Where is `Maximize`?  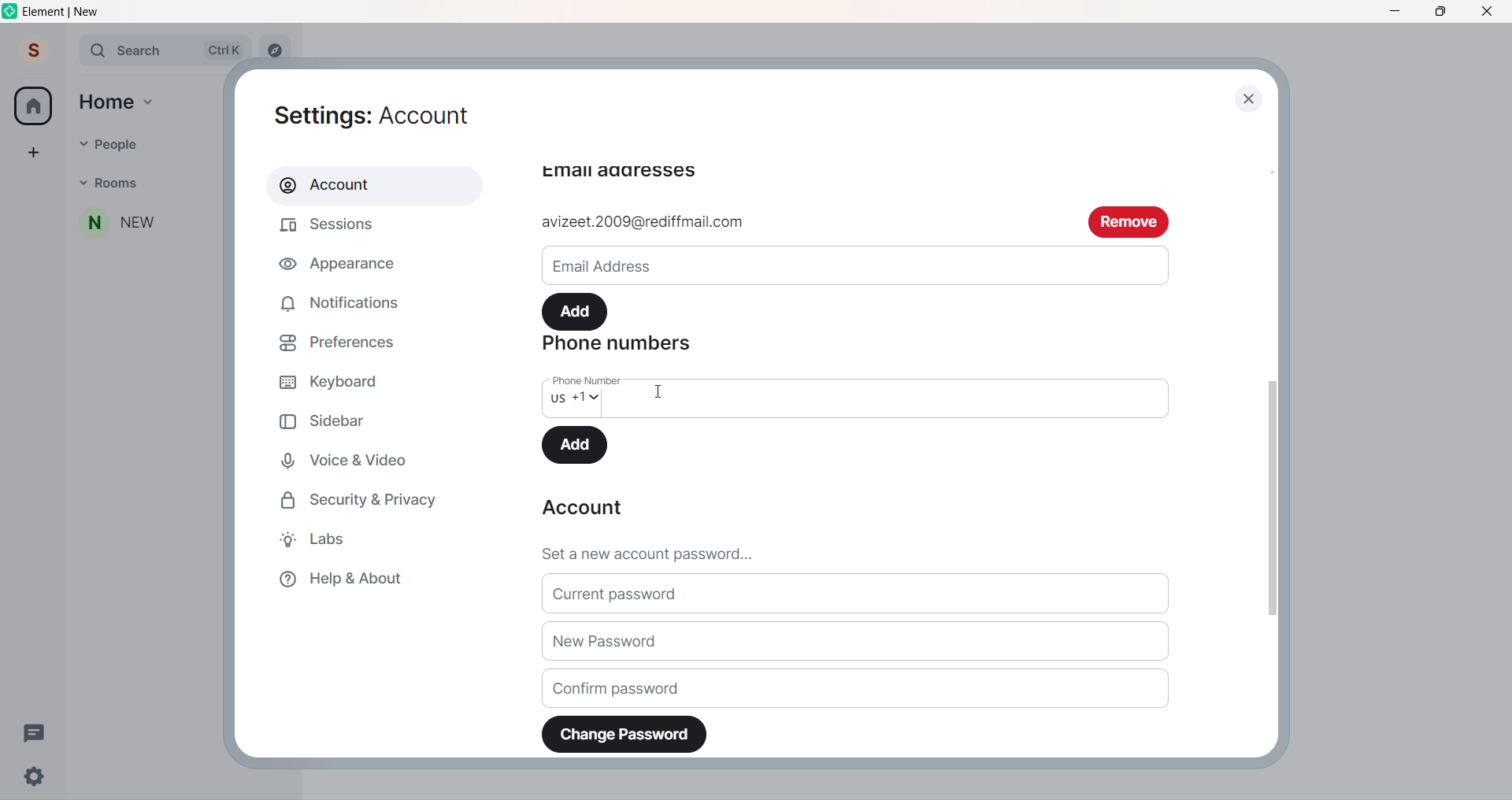
Maximize is located at coordinates (1437, 13).